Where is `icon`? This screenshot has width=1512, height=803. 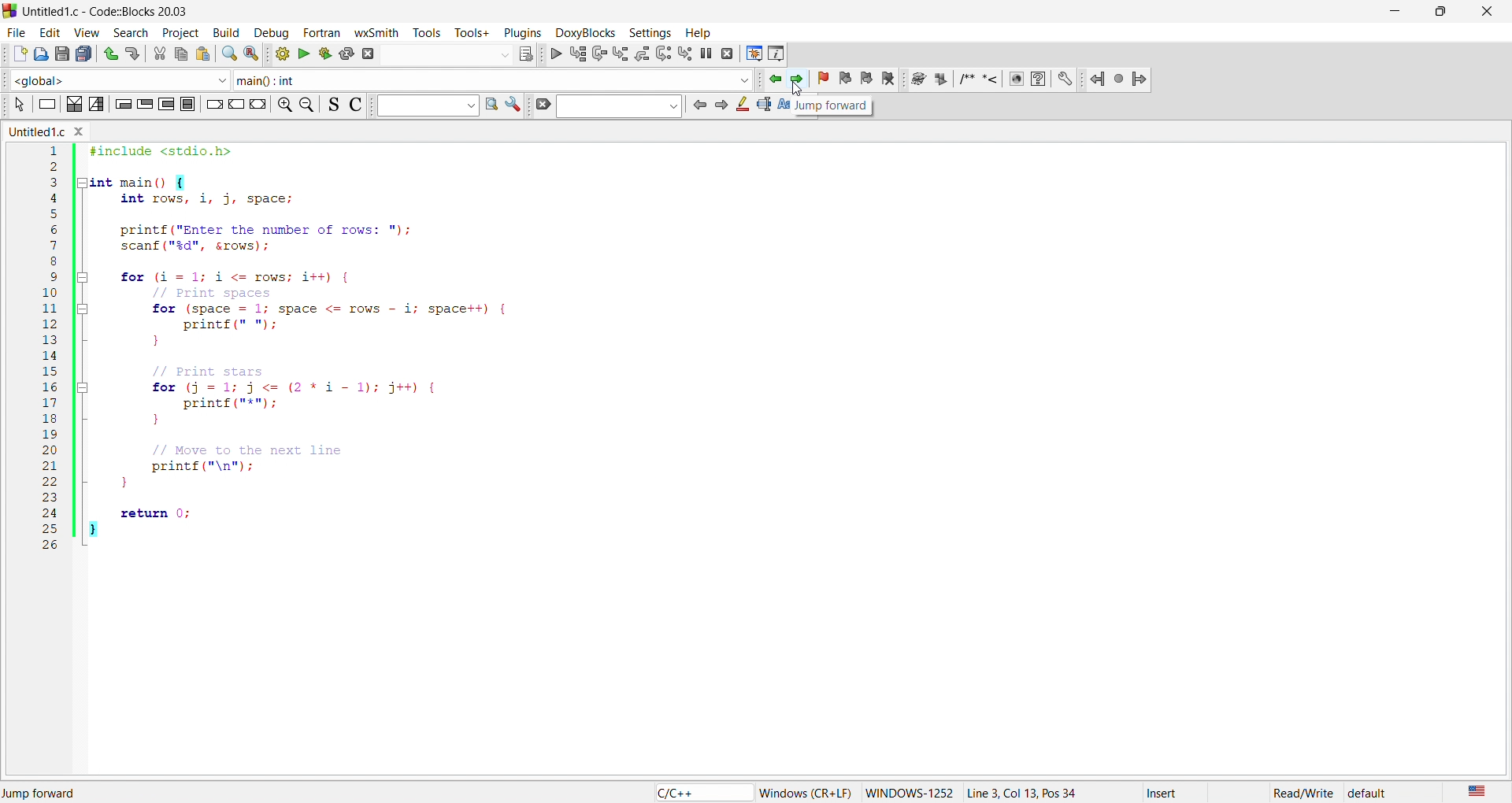
icon is located at coordinates (234, 105).